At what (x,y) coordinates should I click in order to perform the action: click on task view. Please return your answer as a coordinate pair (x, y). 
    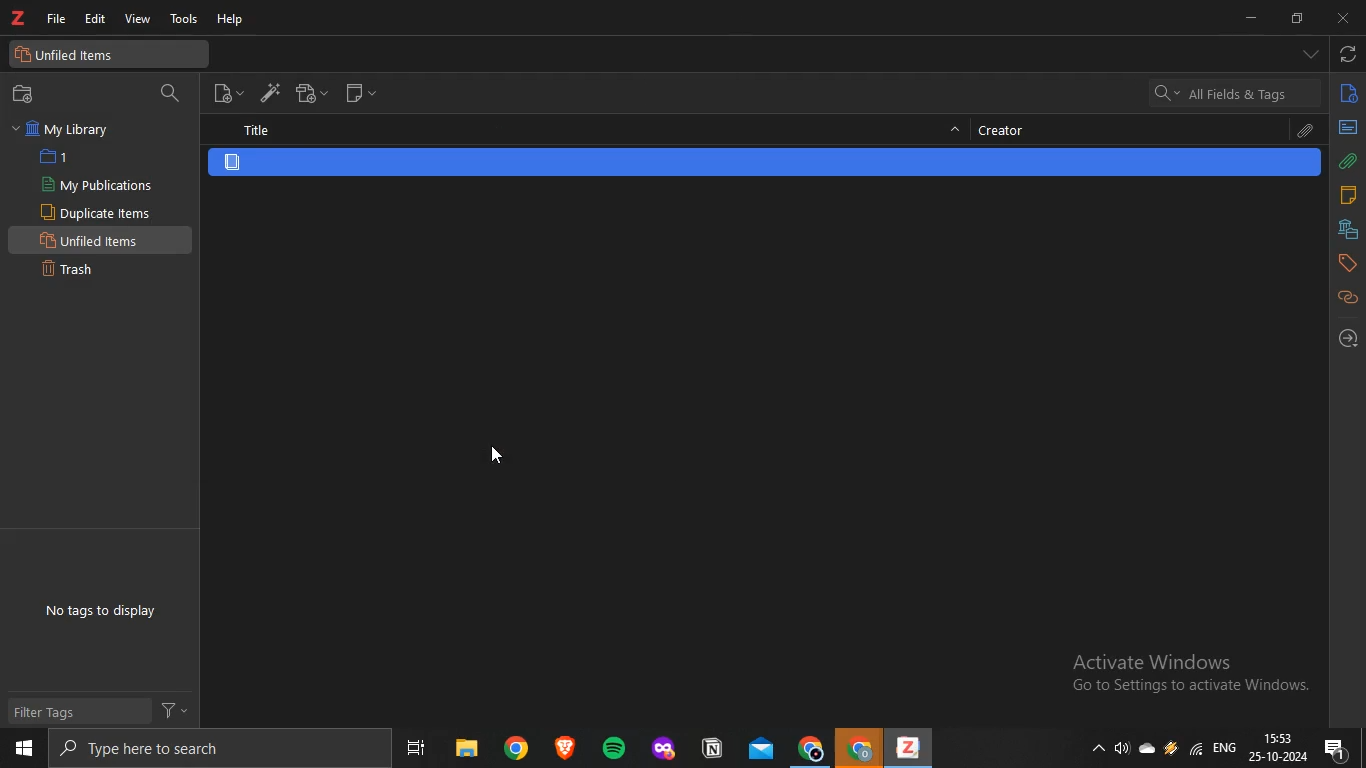
    Looking at the image, I should click on (415, 748).